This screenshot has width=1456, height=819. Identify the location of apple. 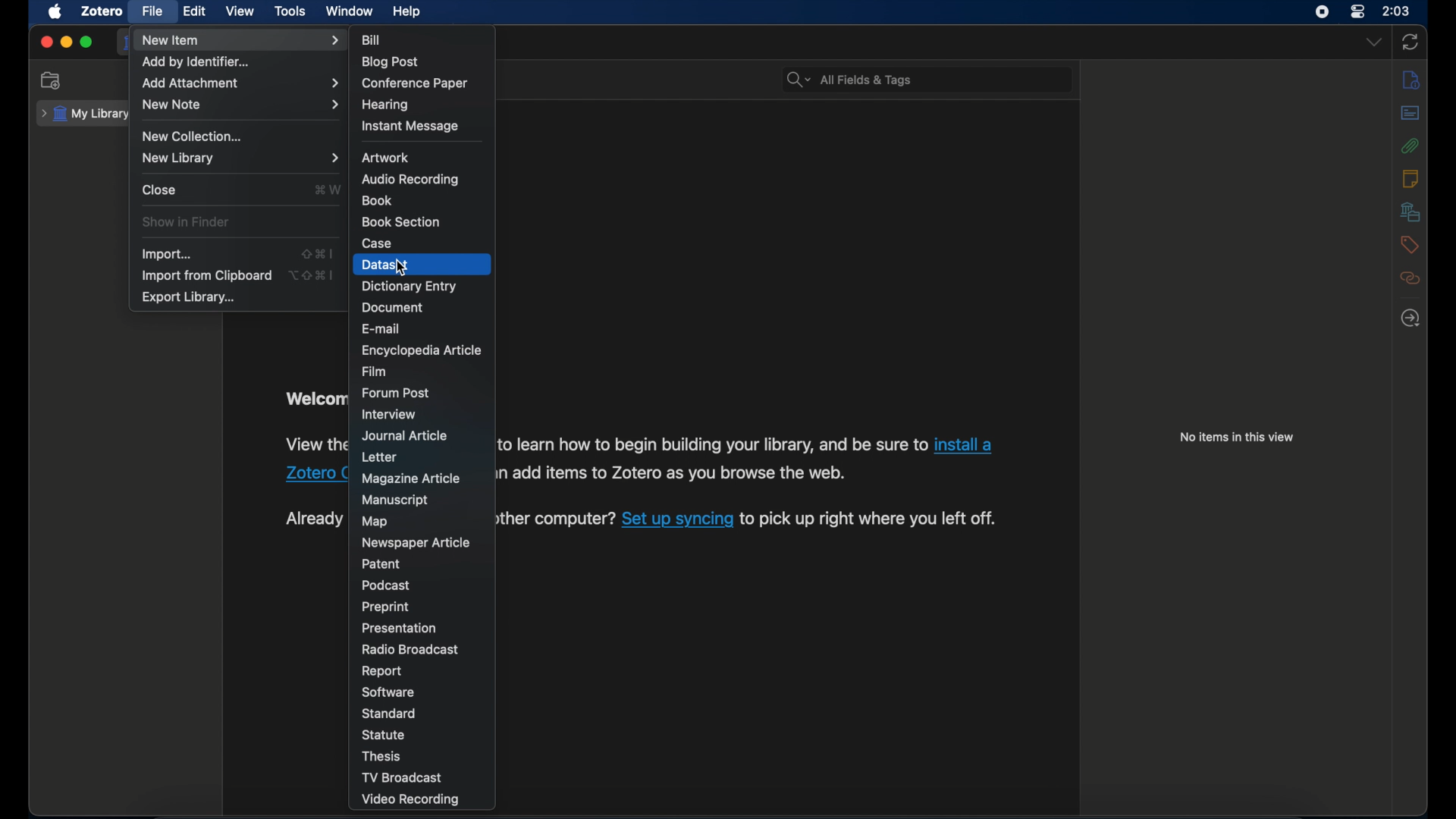
(55, 12).